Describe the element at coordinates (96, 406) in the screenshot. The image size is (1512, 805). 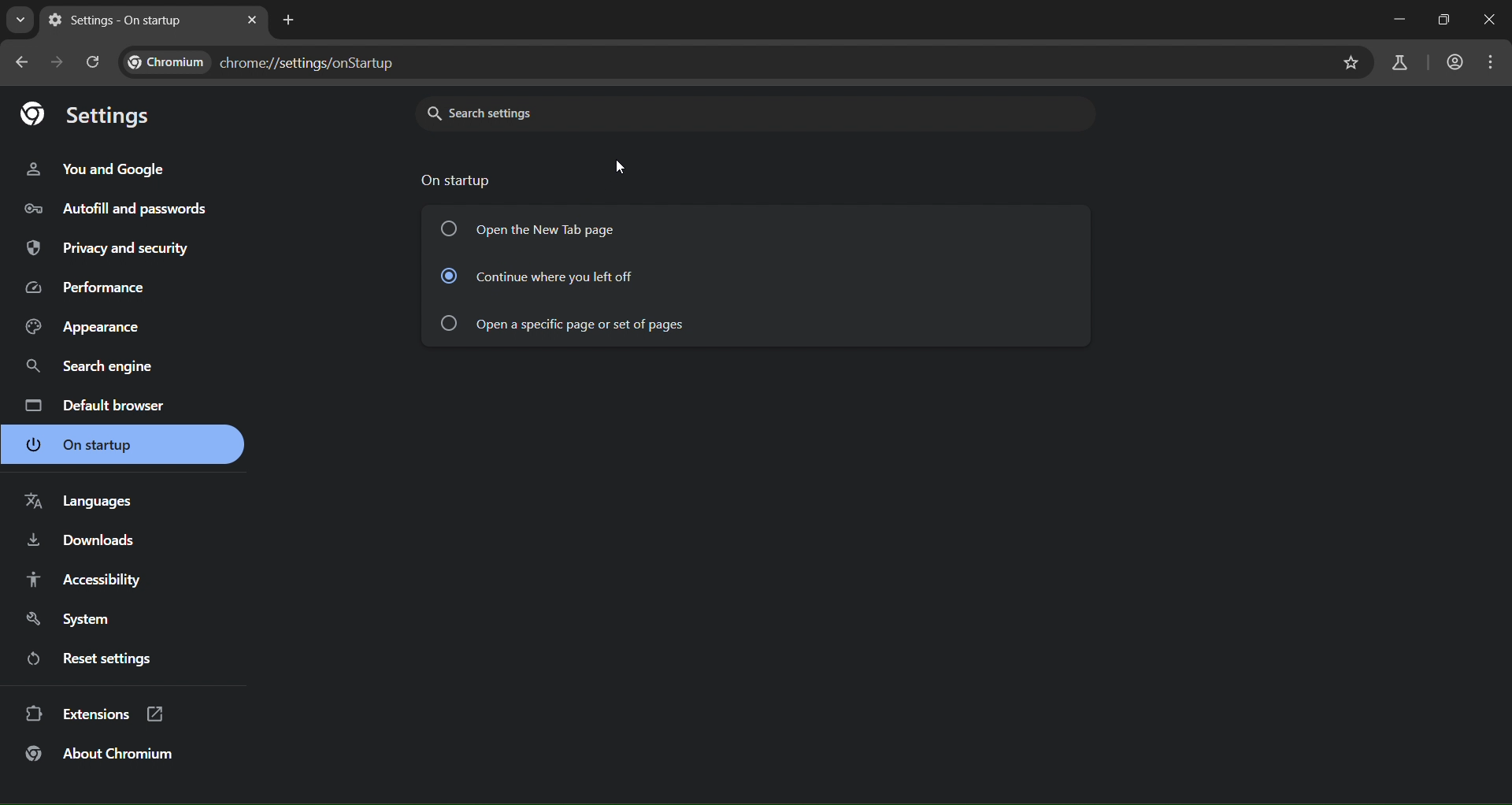
I see `default browser` at that location.